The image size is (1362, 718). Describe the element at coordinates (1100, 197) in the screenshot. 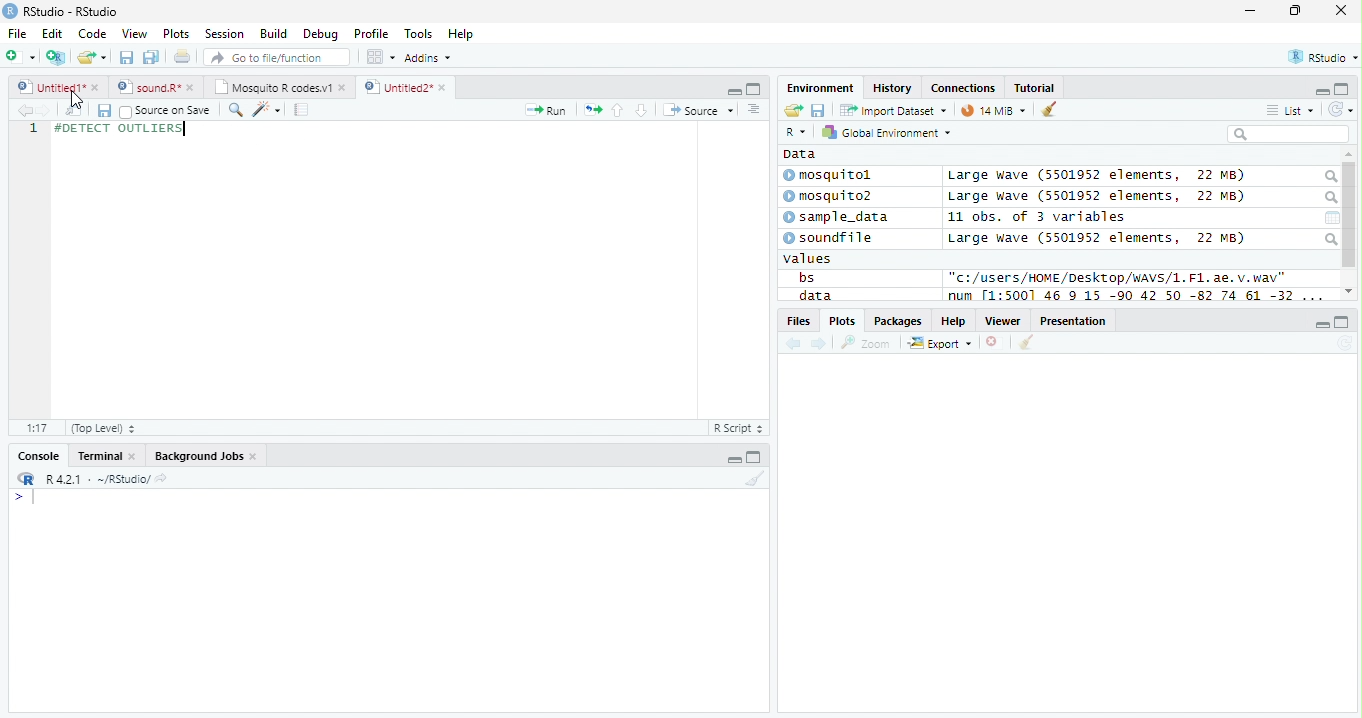

I see `Large wave (5501952 elements, 22 MB)` at that location.